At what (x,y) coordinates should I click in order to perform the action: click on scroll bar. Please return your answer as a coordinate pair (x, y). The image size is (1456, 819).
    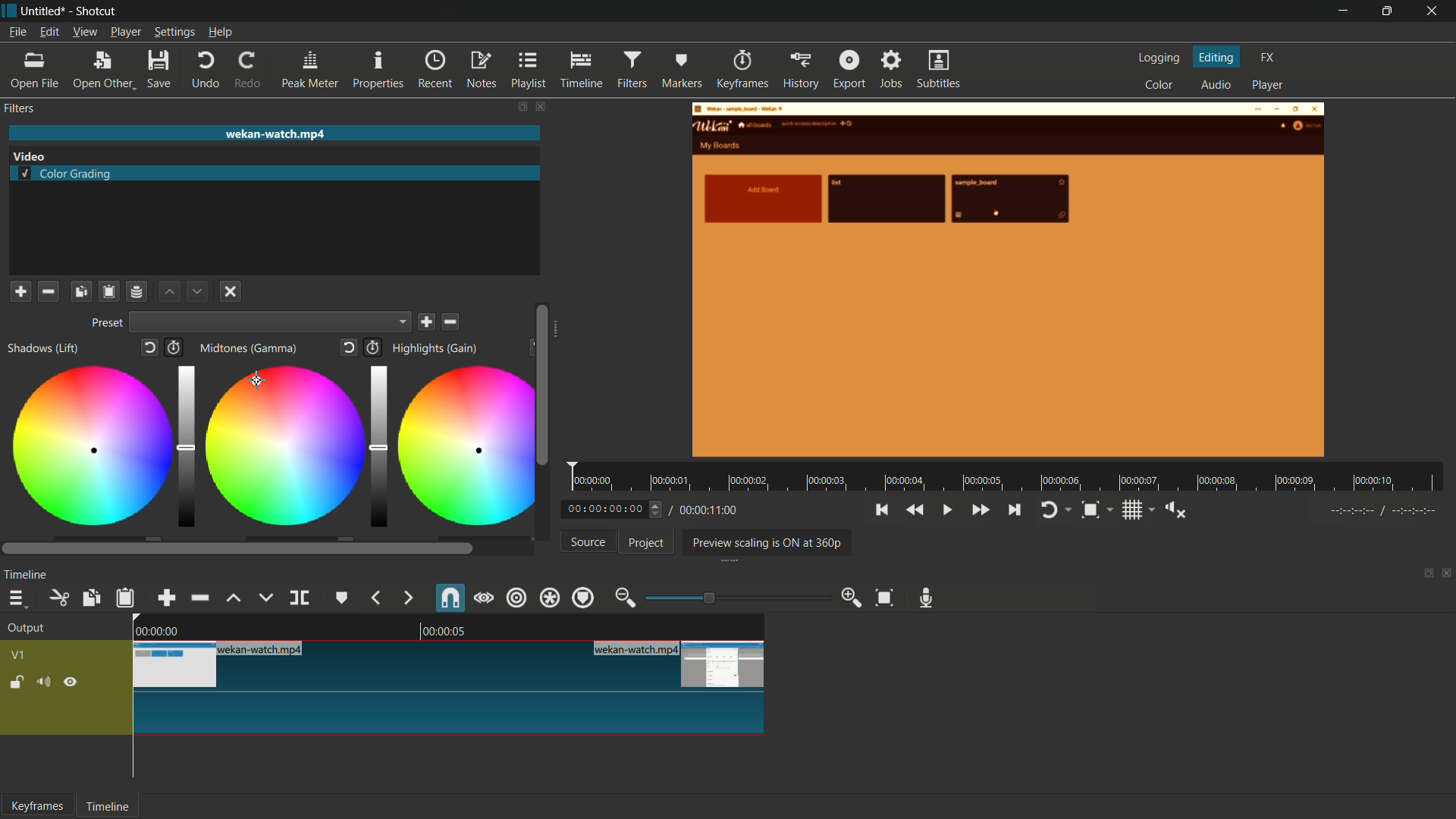
    Looking at the image, I should click on (541, 384).